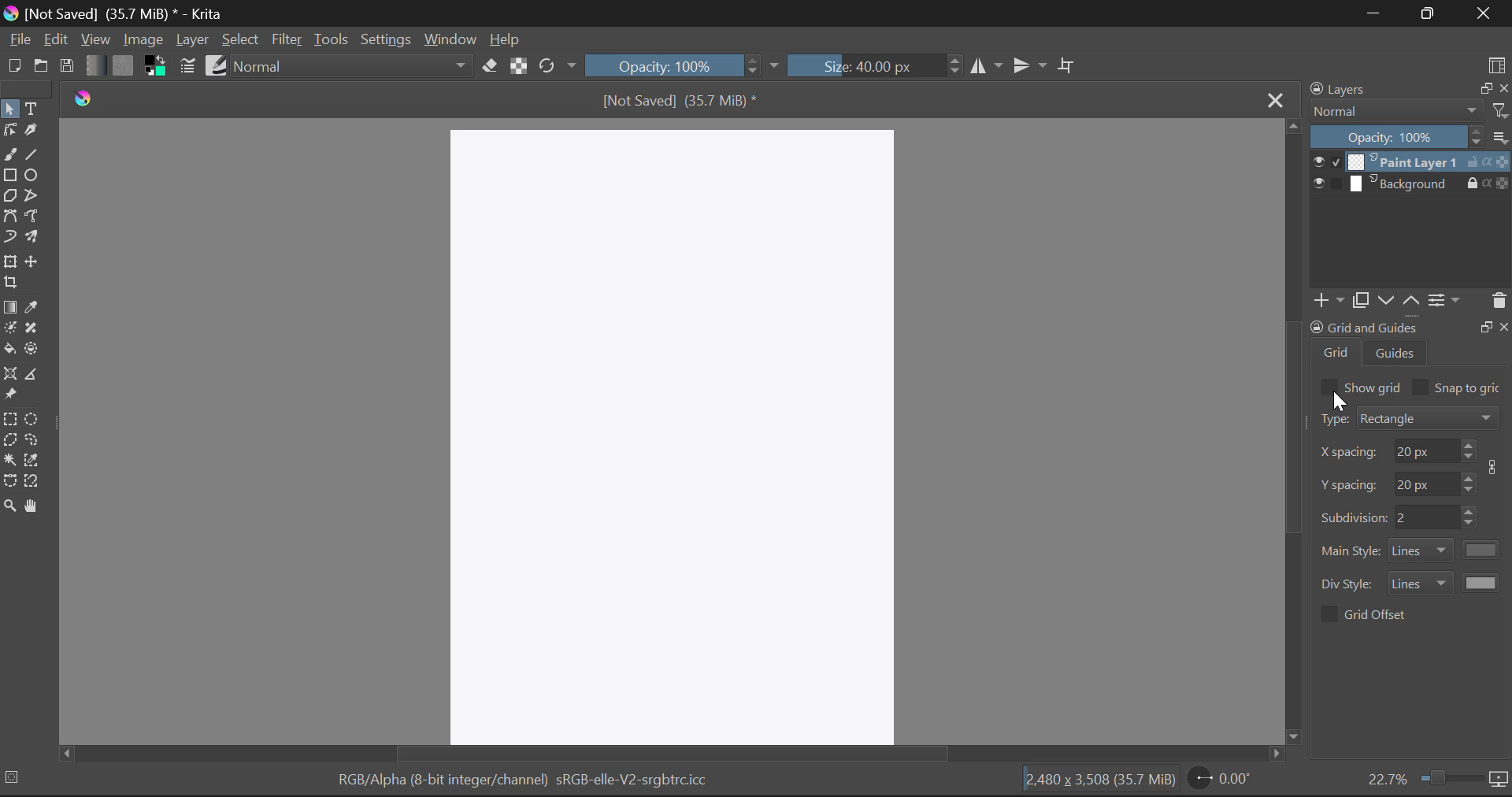 Image resolution: width=1512 pixels, height=797 pixels. What do you see at coordinates (34, 261) in the screenshot?
I see `Move Layer` at bounding box center [34, 261].